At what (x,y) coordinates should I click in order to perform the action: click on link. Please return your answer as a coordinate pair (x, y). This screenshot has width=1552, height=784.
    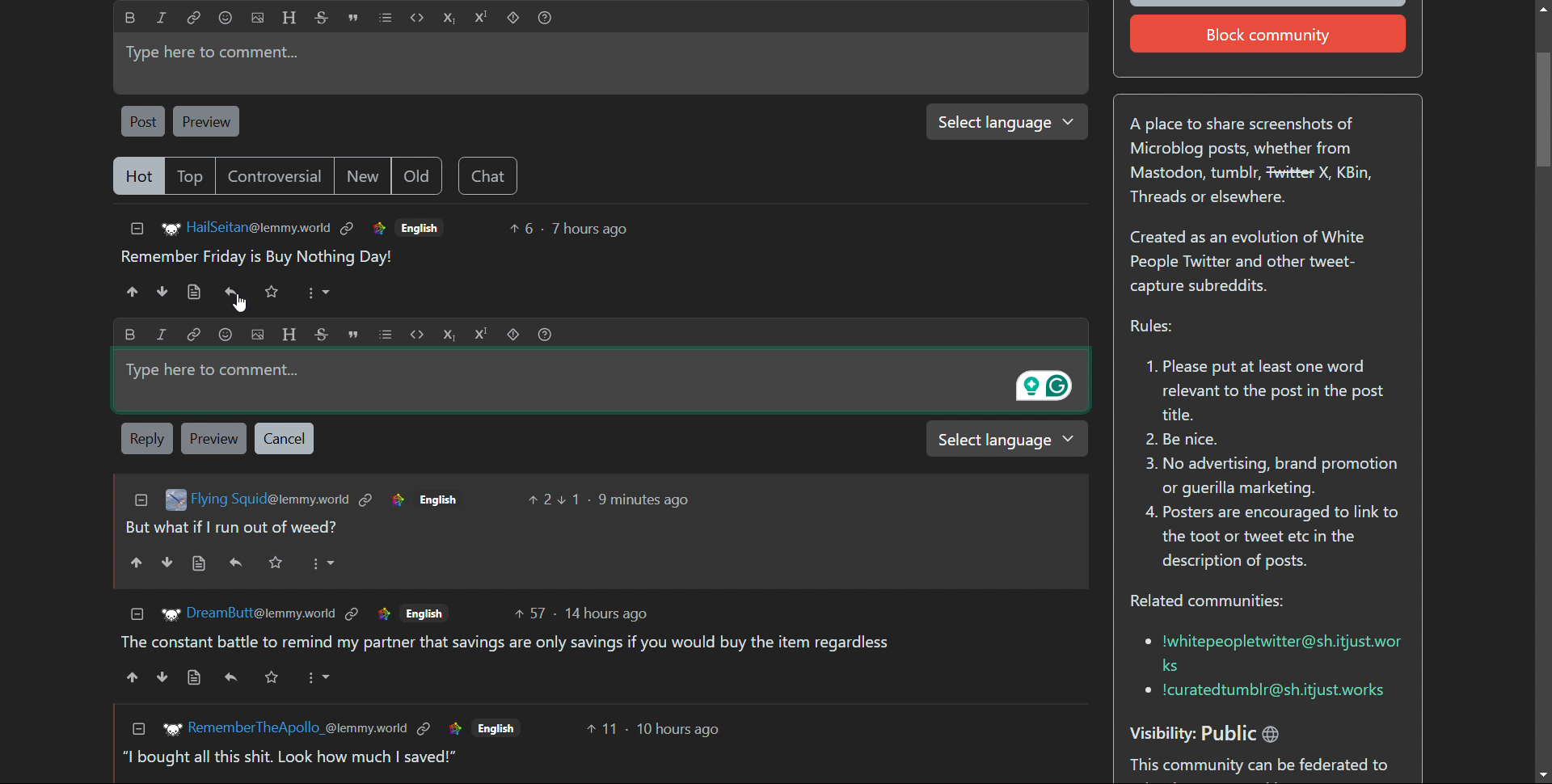
    Looking at the image, I should click on (195, 17).